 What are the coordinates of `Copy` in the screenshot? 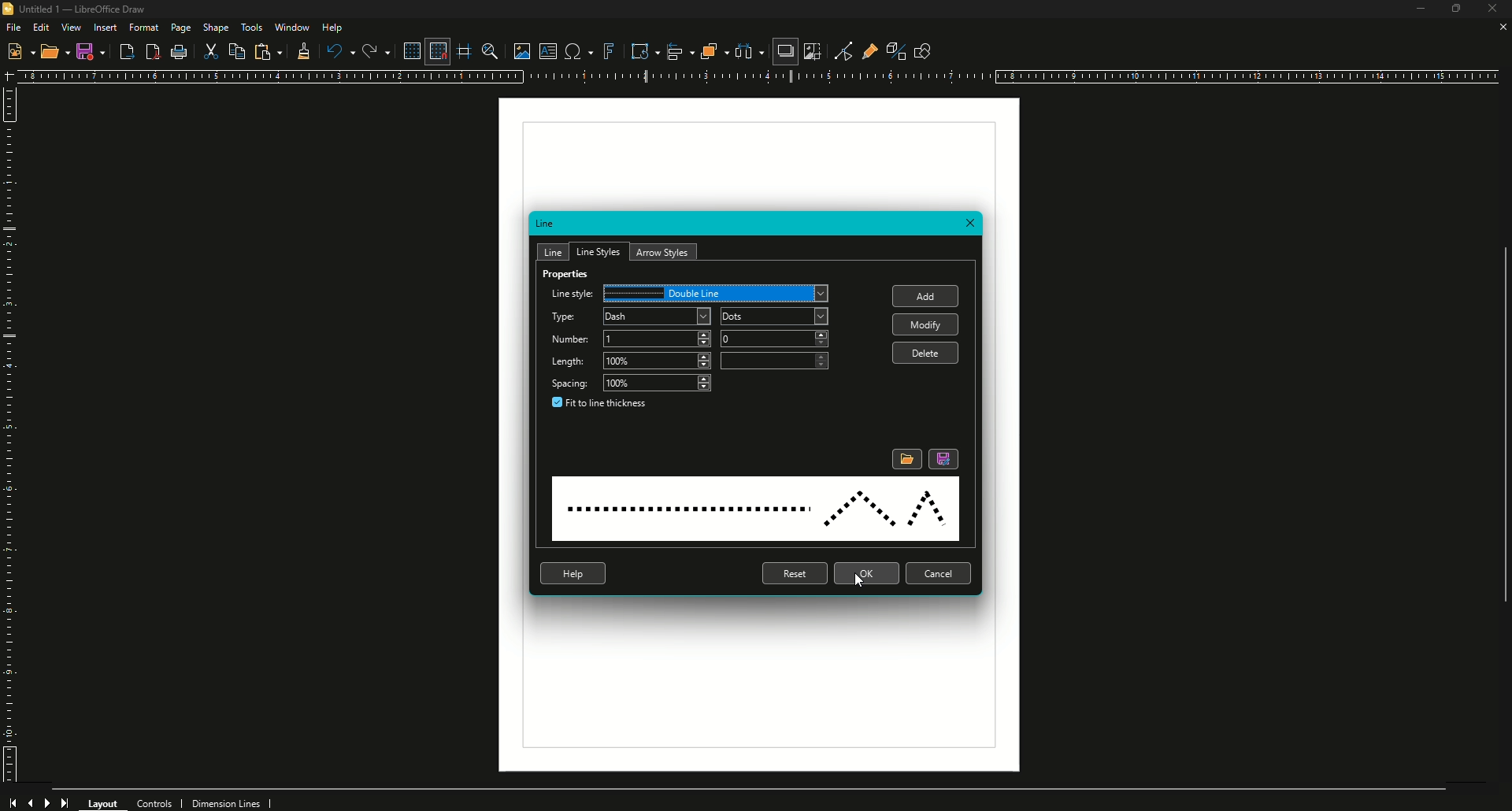 It's located at (239, 51).